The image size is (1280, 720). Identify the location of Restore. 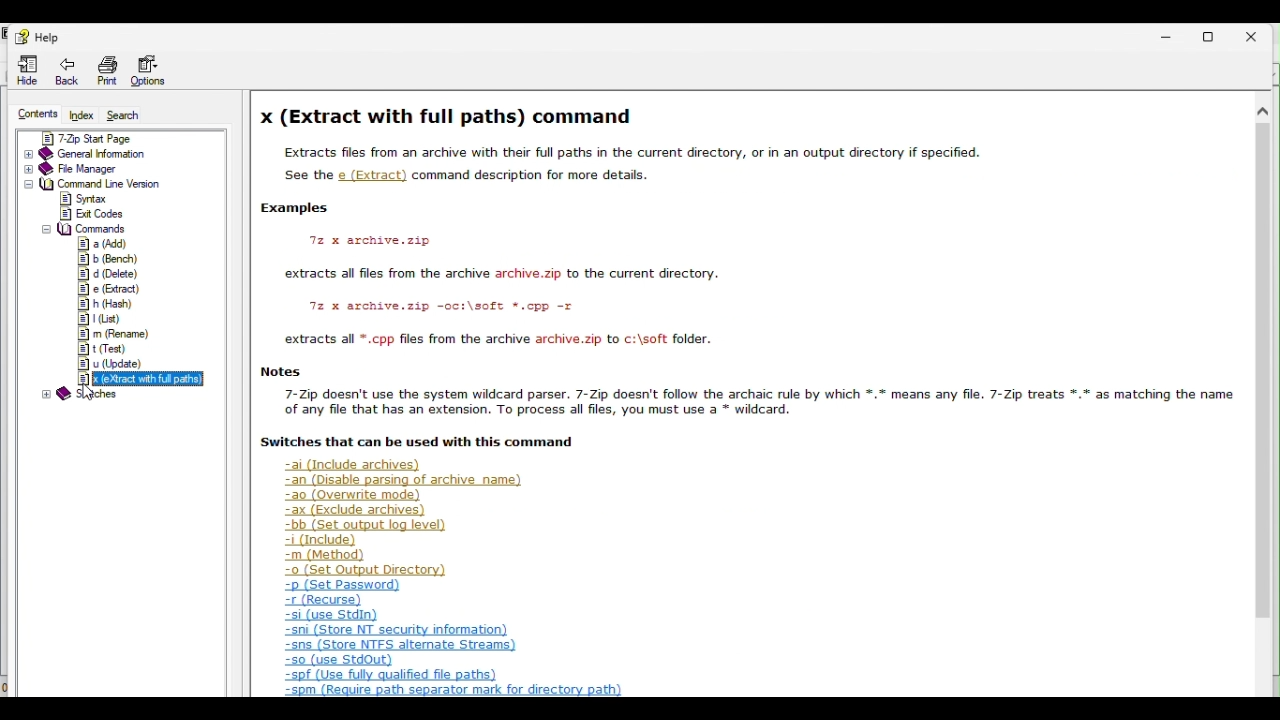
(1213, 35).